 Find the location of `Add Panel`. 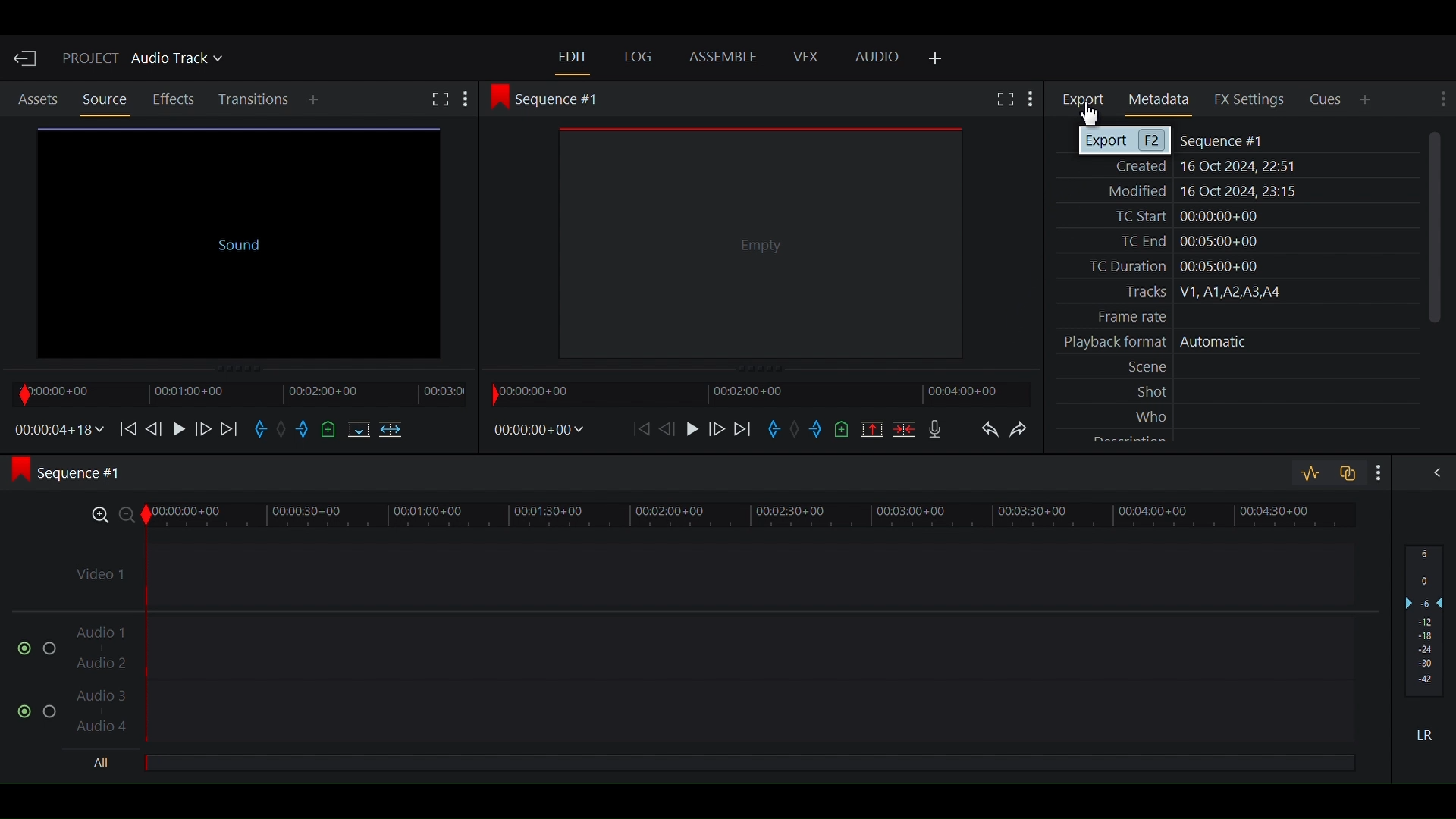

Add Panel is located at coordinates (936, 60).